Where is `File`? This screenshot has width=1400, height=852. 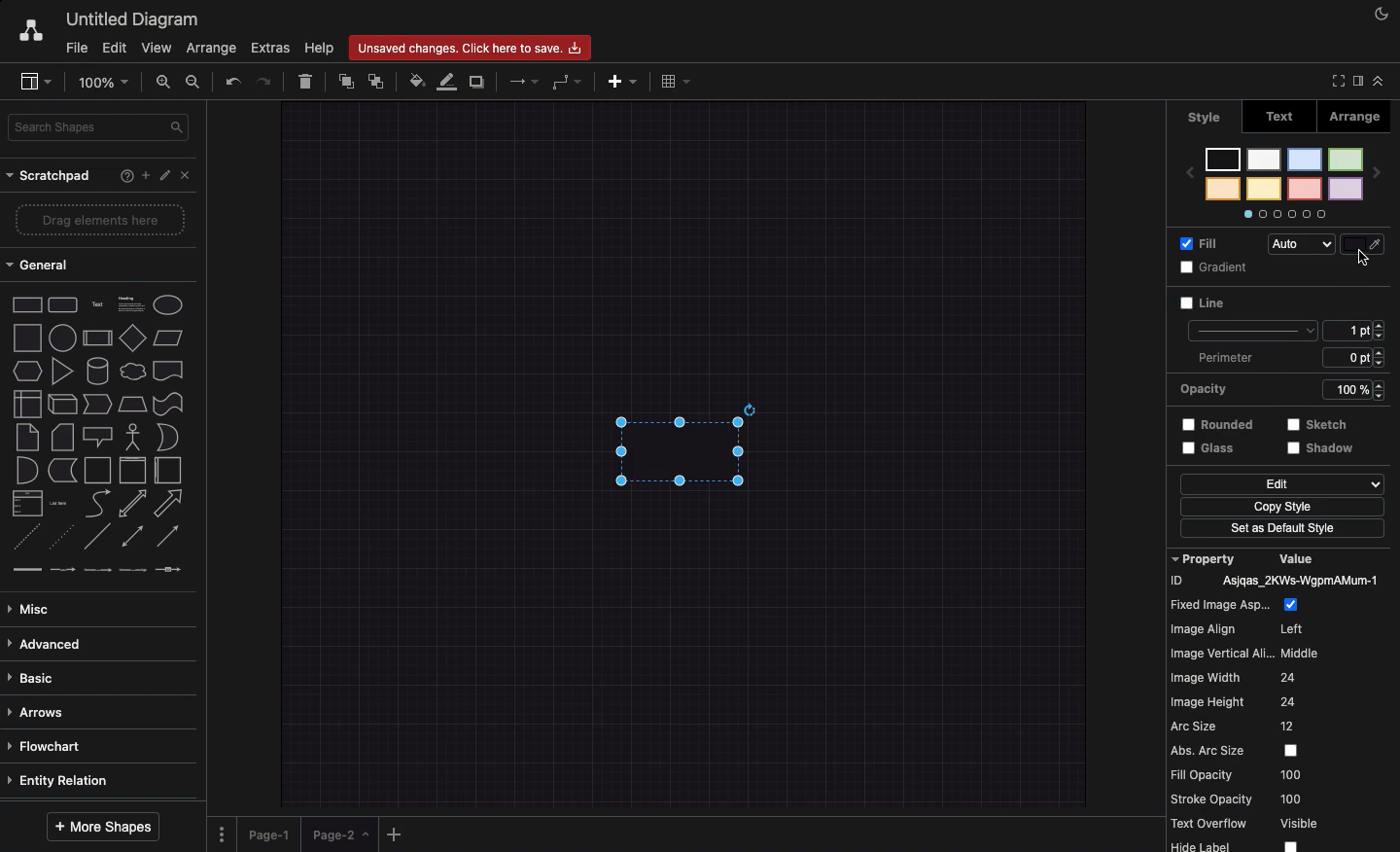
File is located at coordinates (77, 46).